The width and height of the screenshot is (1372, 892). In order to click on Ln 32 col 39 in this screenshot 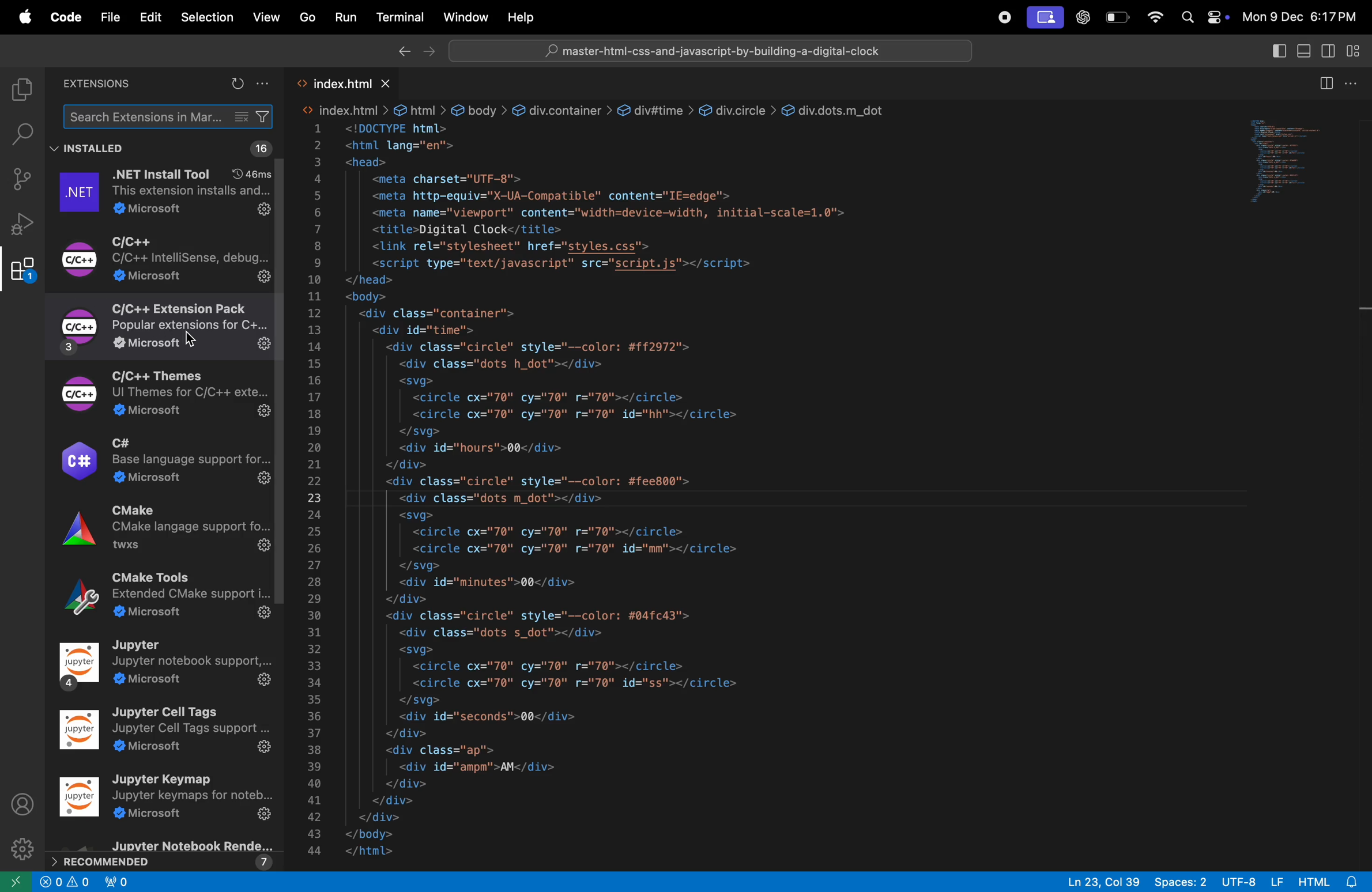, I will do `click(1105, 881)`.